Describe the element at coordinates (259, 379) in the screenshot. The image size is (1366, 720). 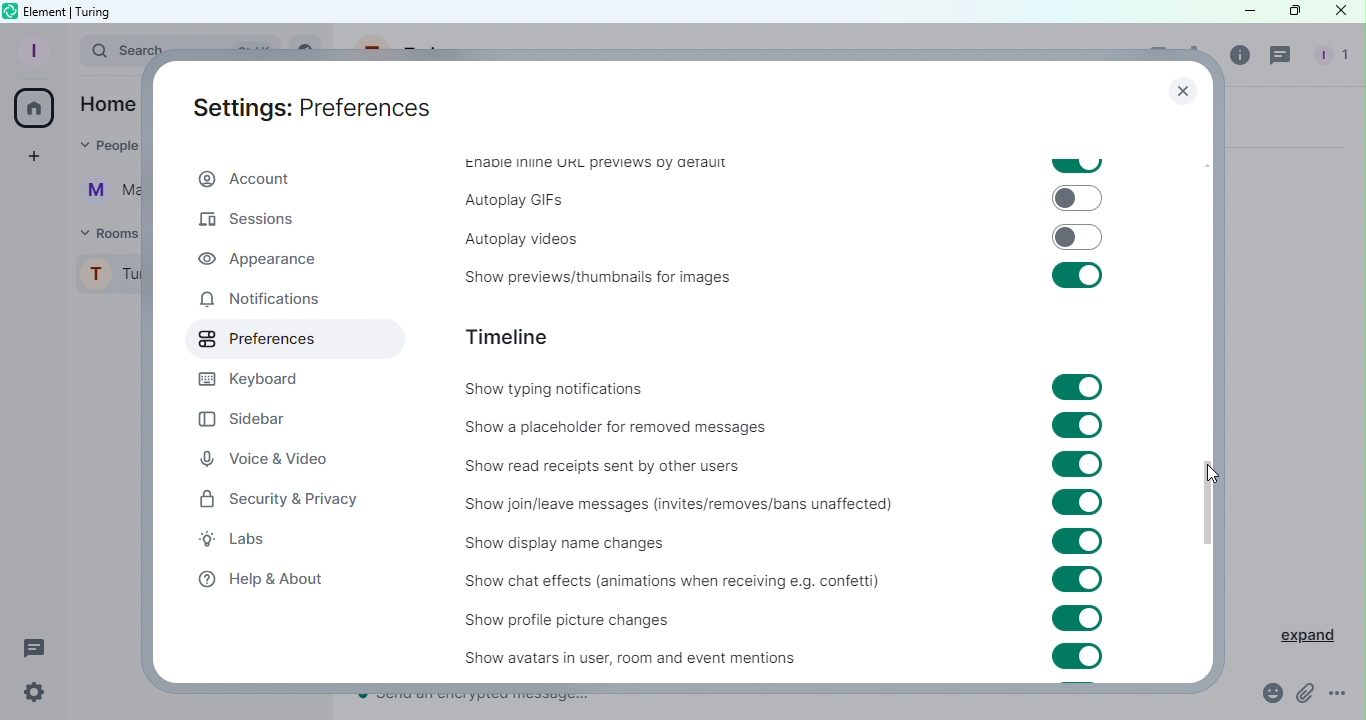
I see `Keyboard` at that location.